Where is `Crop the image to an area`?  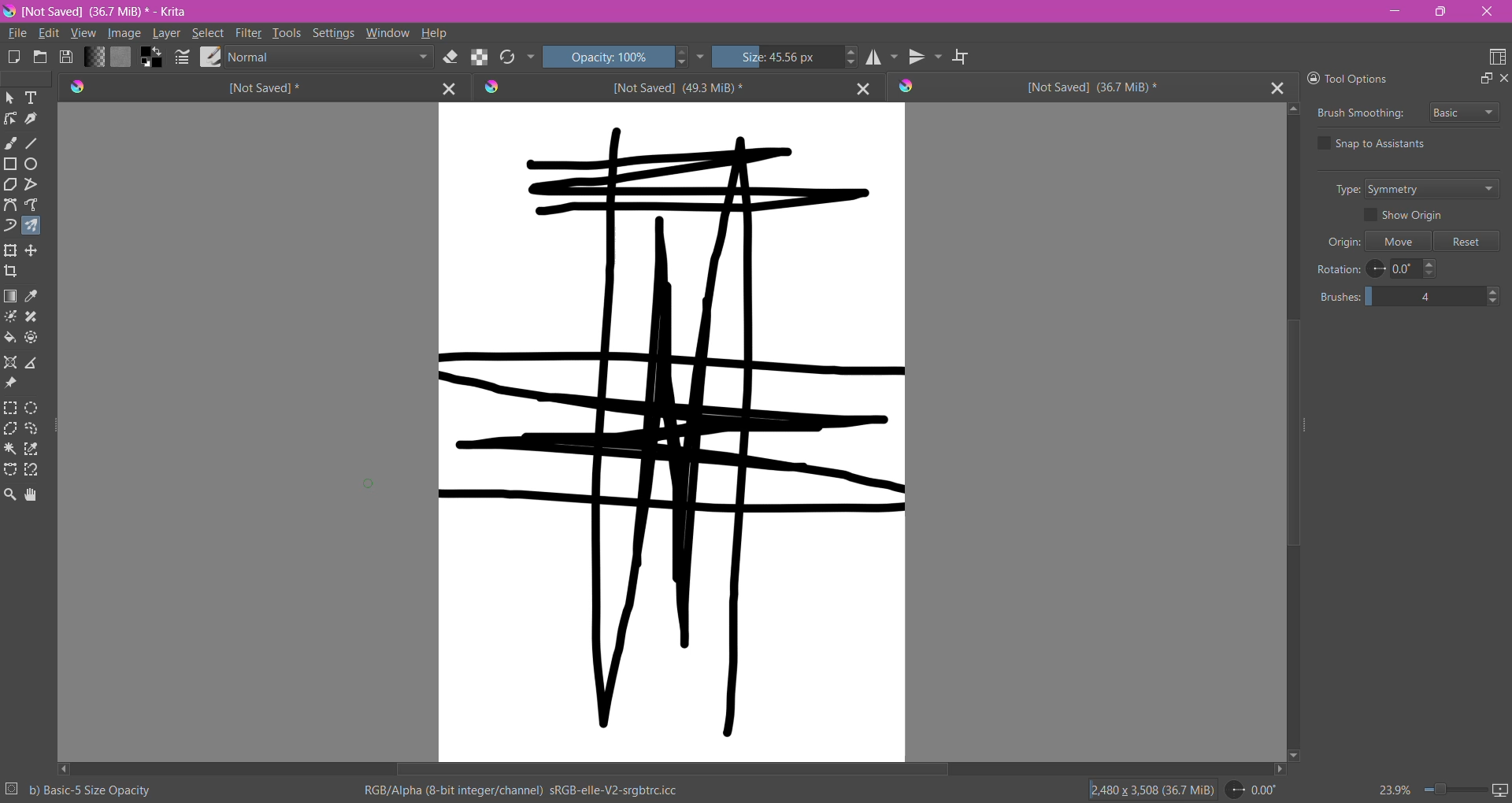 Crop the image to an area is located at coordinates (12, 272).